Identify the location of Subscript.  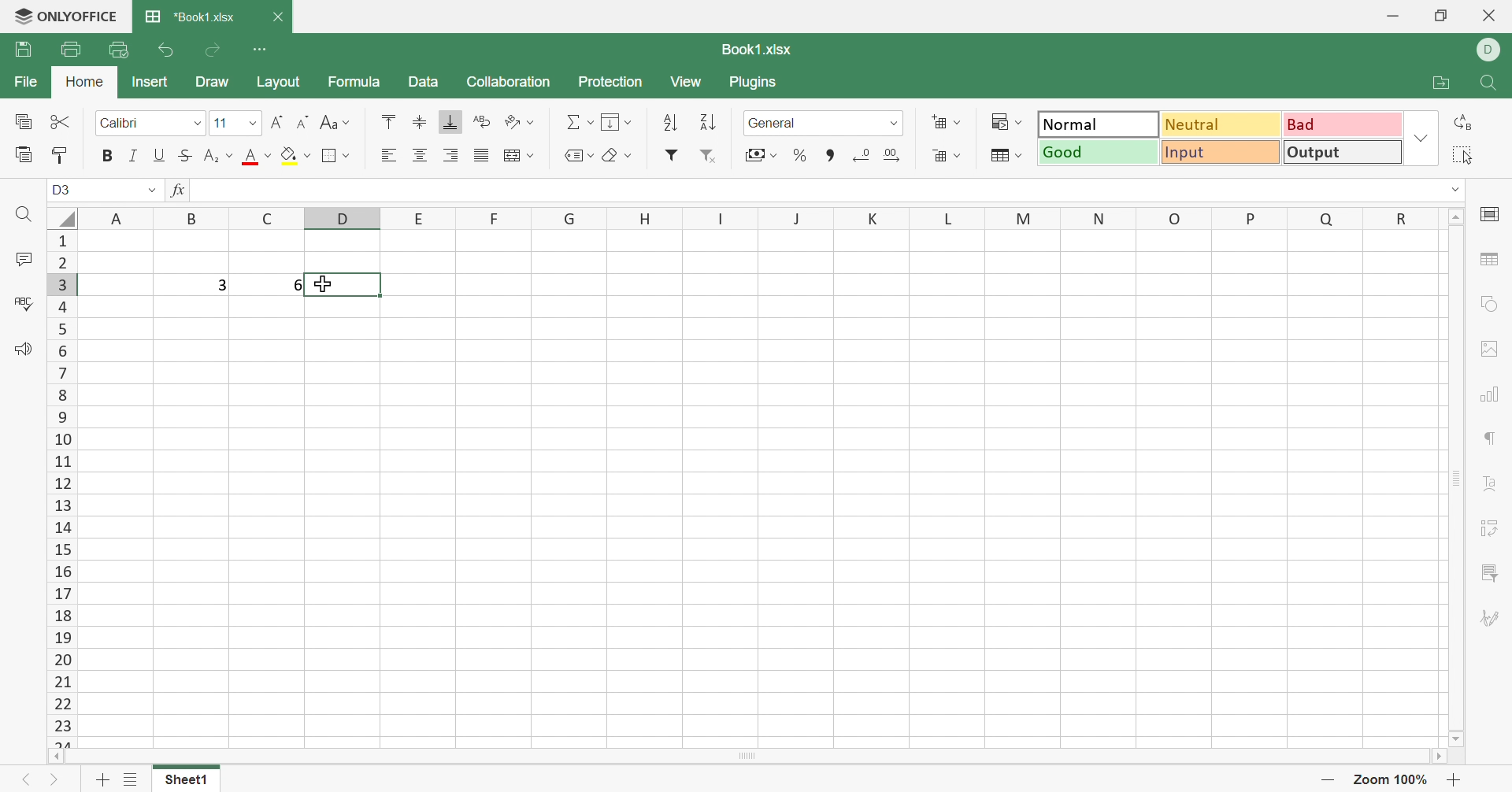
(220, 157).